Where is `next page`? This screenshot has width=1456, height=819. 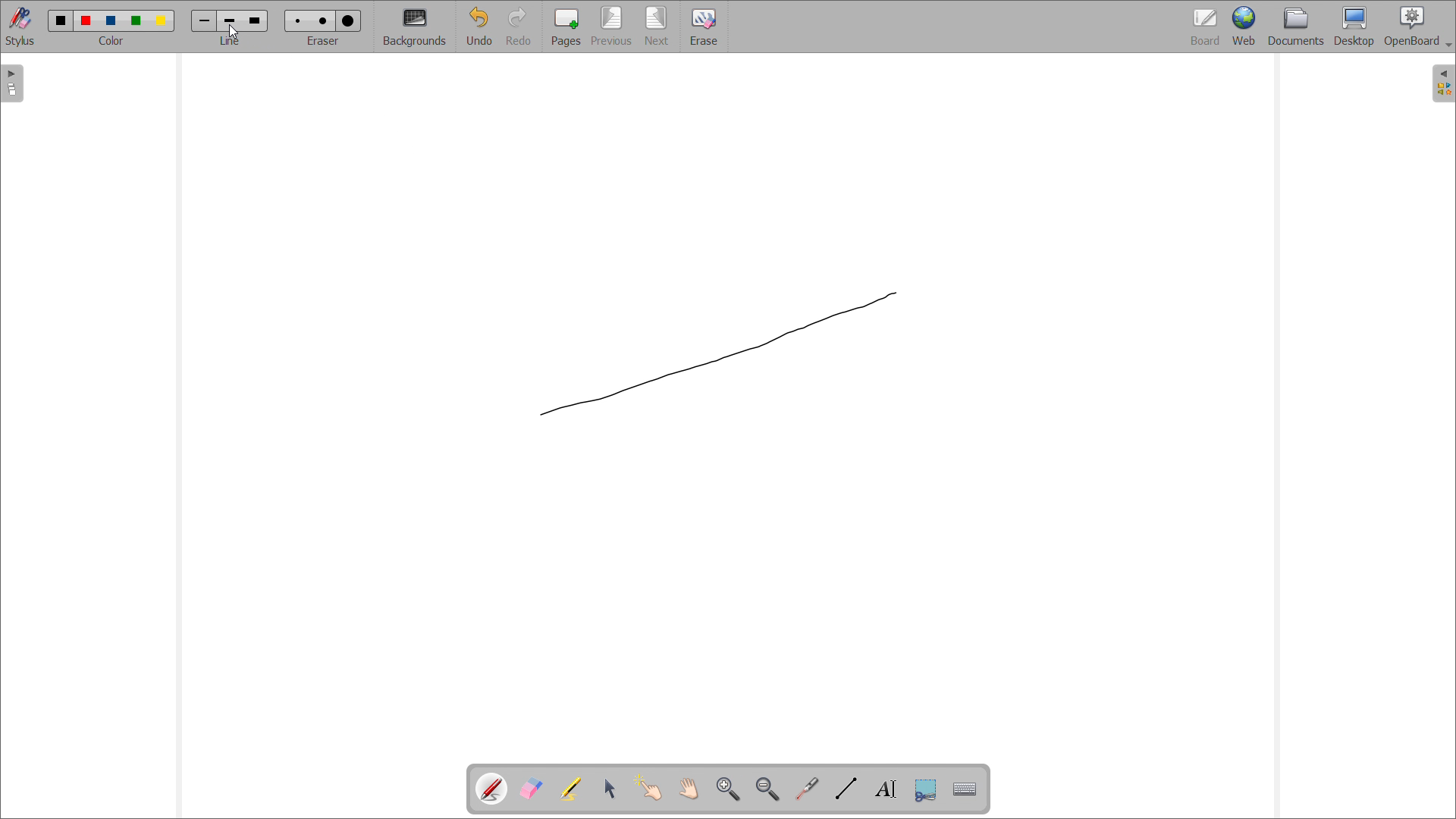
next page is located at coordinates (657, 27).